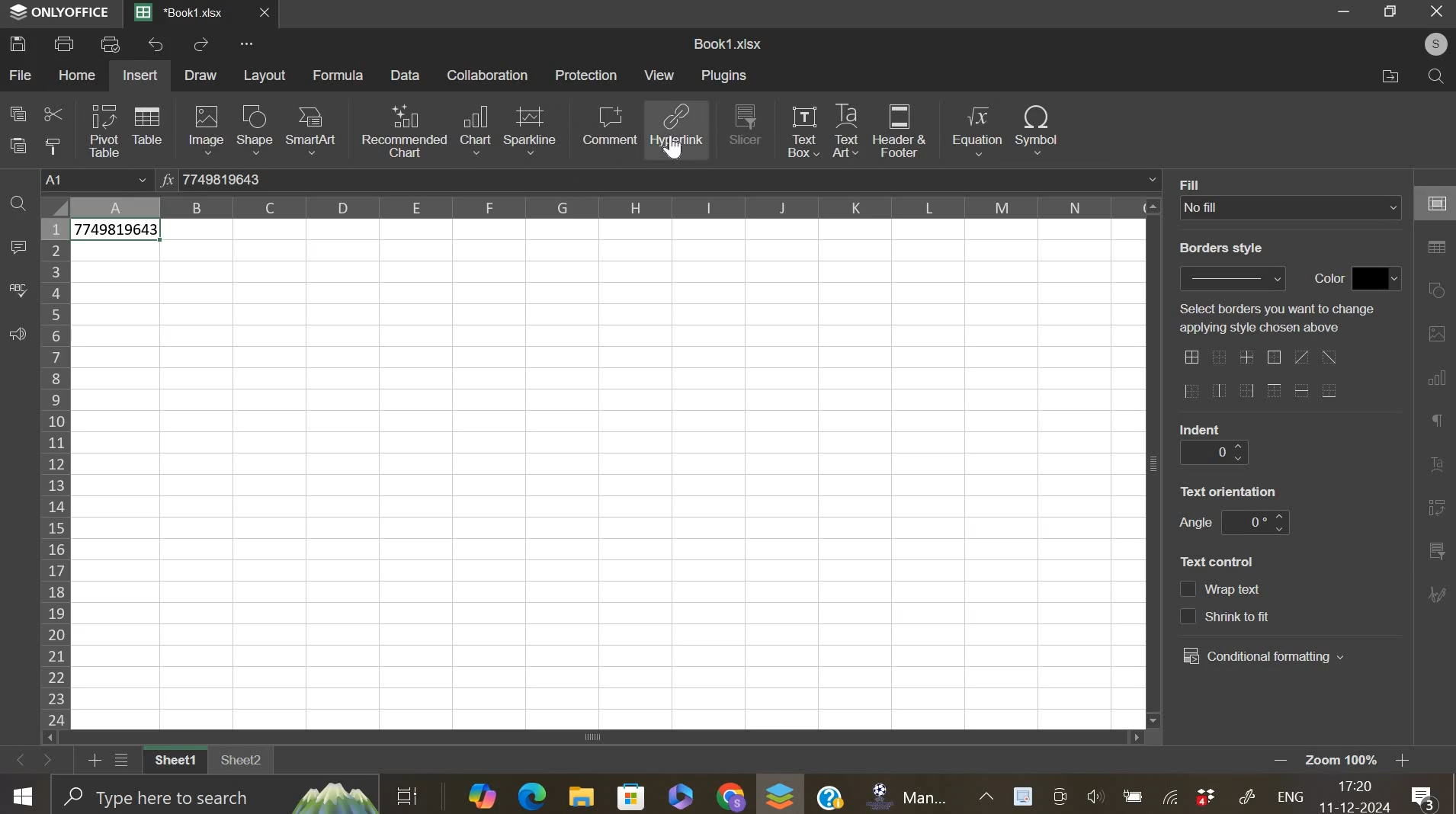  What do you see at coordinates (1433, 390) in the screenshot?
I see `right side bar` at bounding box center [1433, 390].